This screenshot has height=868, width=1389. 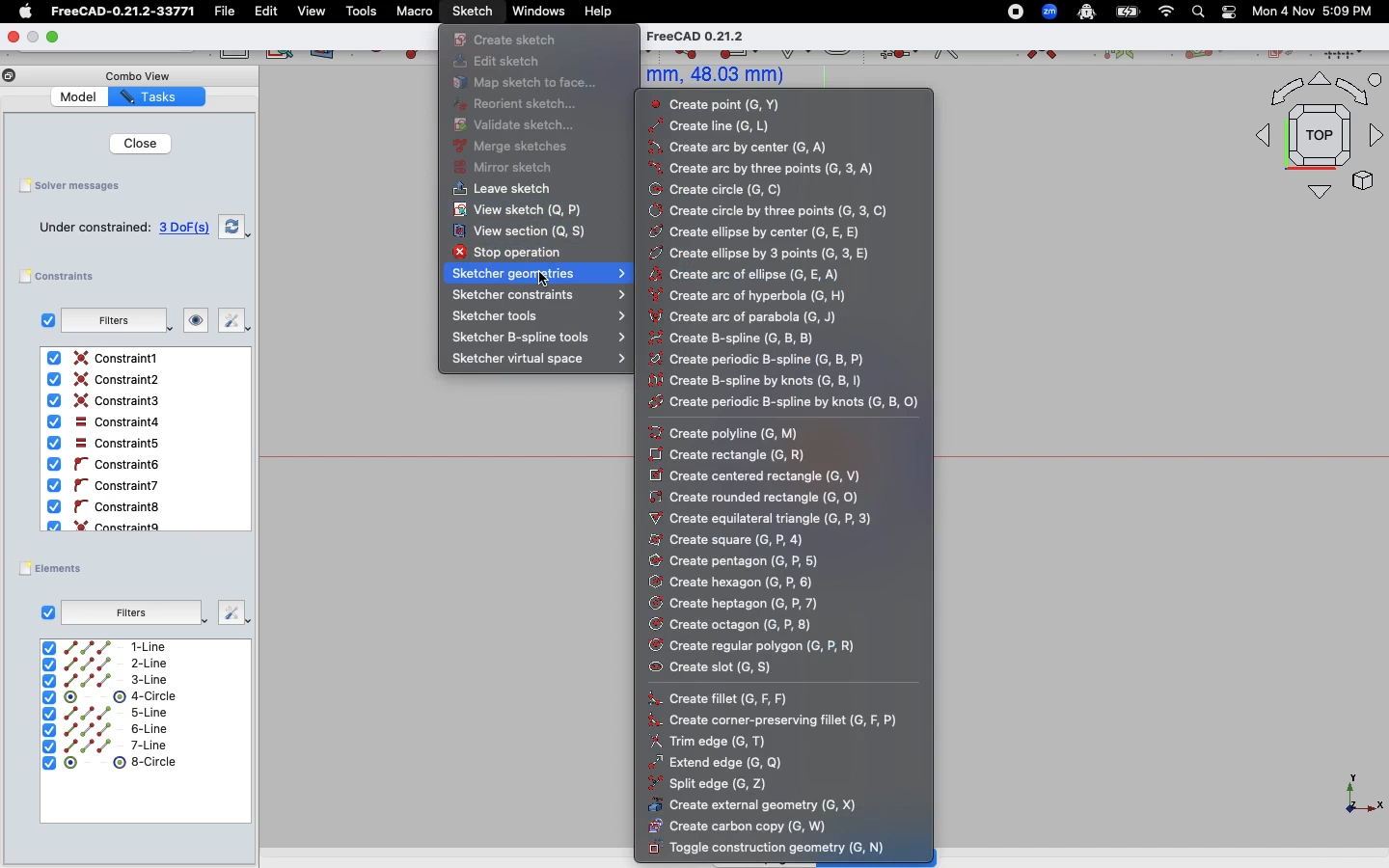 I want to click on Extend edge, so click(x=719, y=761).